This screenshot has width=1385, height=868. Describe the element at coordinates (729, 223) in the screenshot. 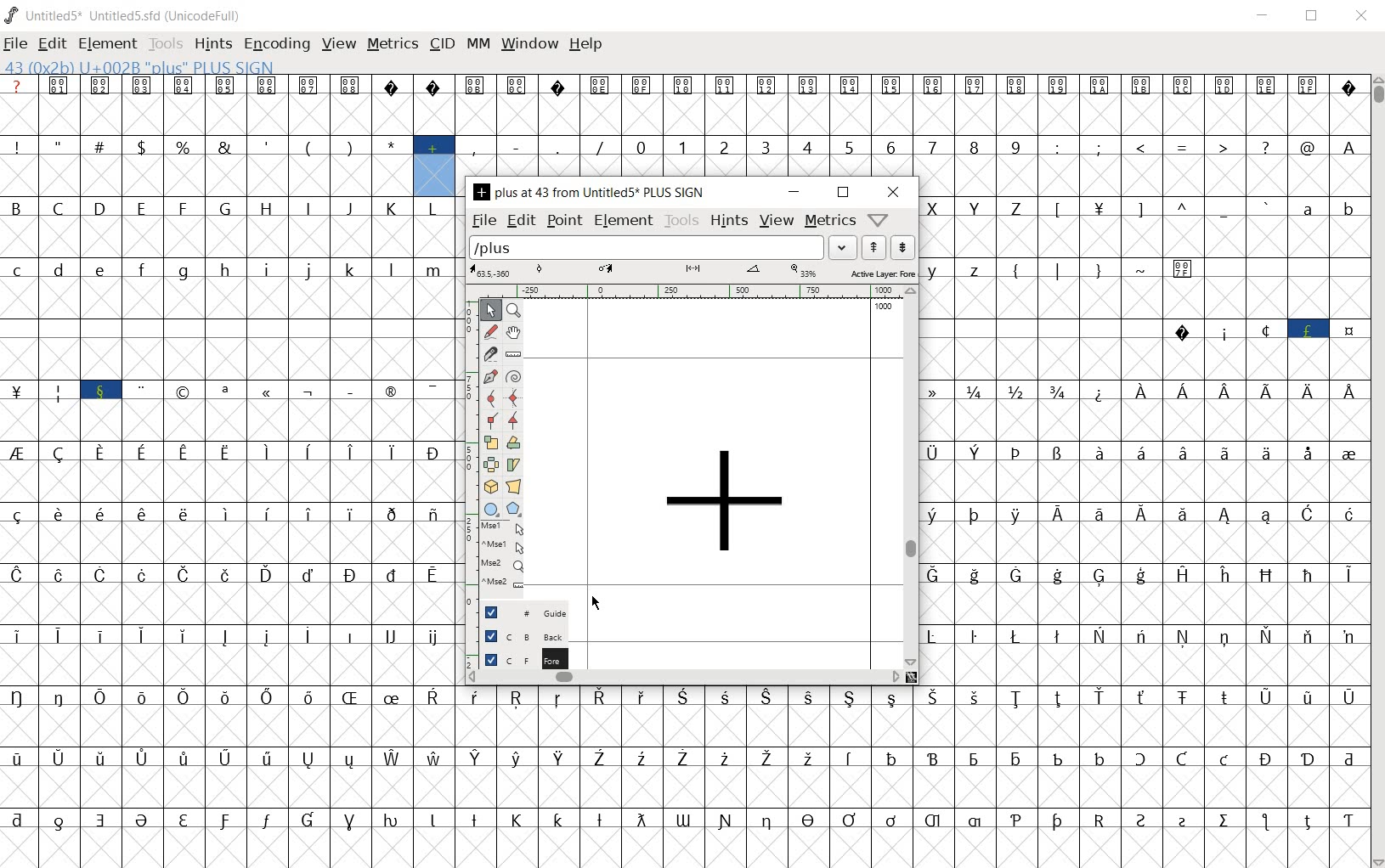

I see `hints` at that location.